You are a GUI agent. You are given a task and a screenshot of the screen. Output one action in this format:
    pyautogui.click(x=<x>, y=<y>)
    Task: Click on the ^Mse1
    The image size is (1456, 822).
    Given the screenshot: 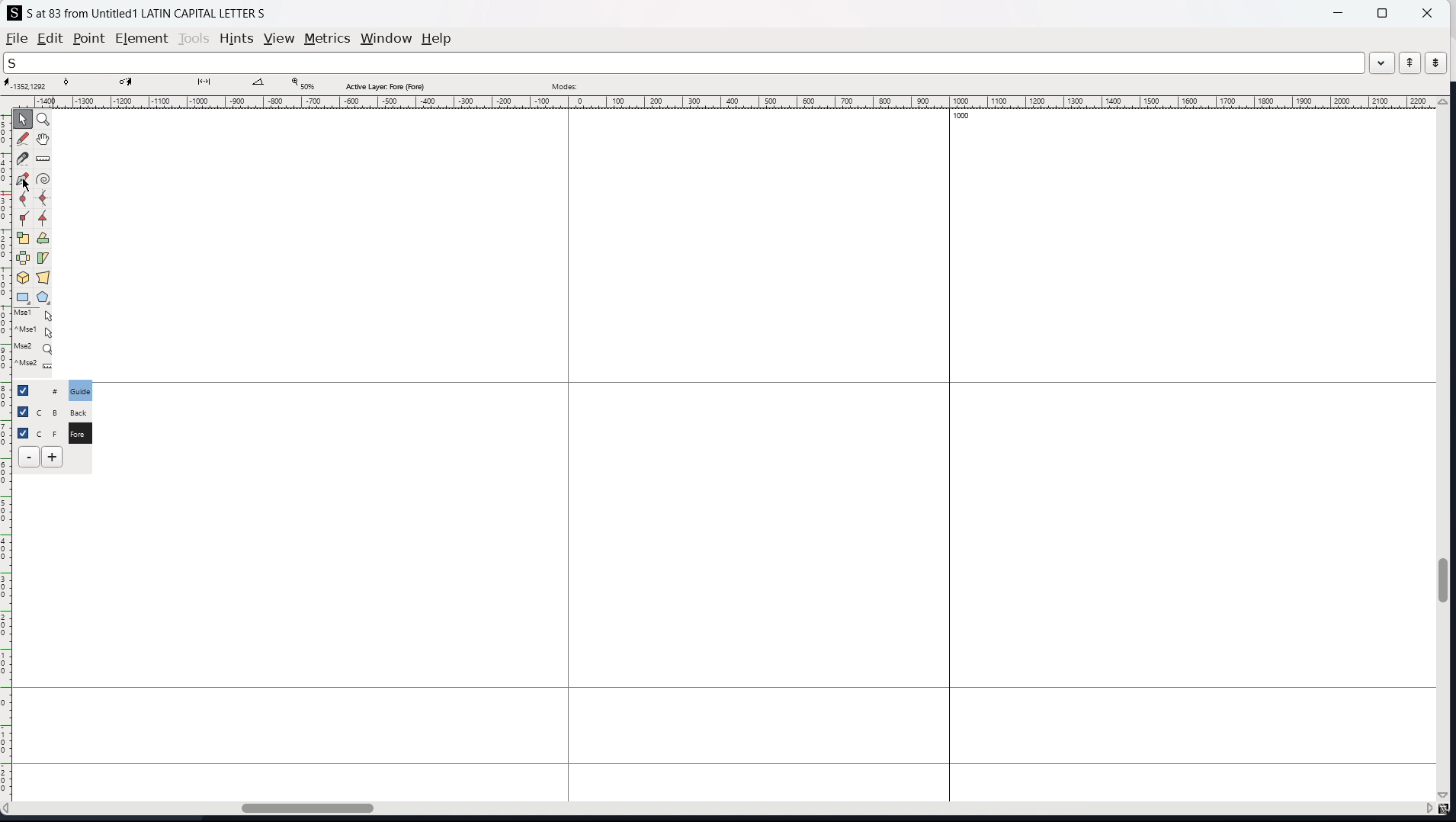 What is the action you would take?
    pyautogui.click(x=34, y=332)
    